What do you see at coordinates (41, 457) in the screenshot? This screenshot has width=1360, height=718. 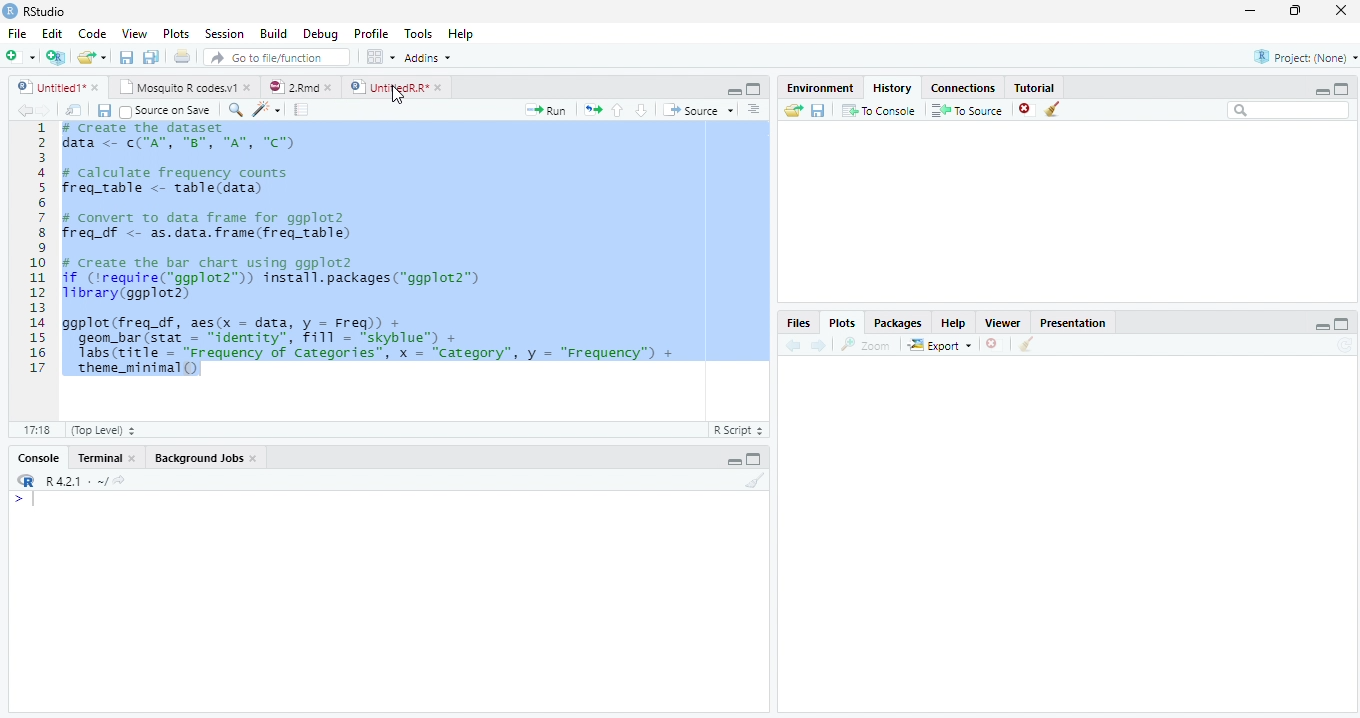 I see `Console` at bounding box center [41, 457].